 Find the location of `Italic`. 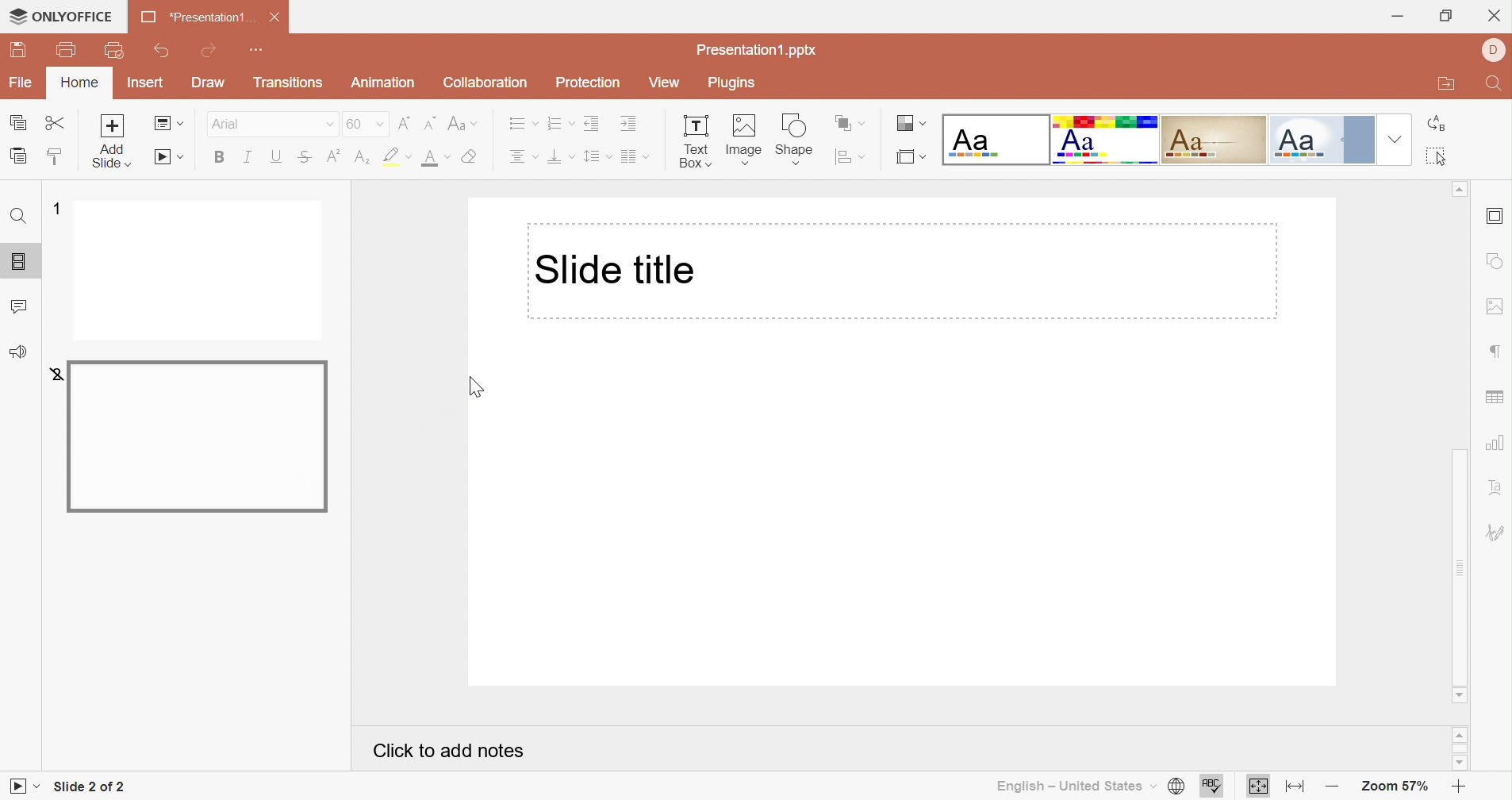

Italic is located at coordinates (250, 158).